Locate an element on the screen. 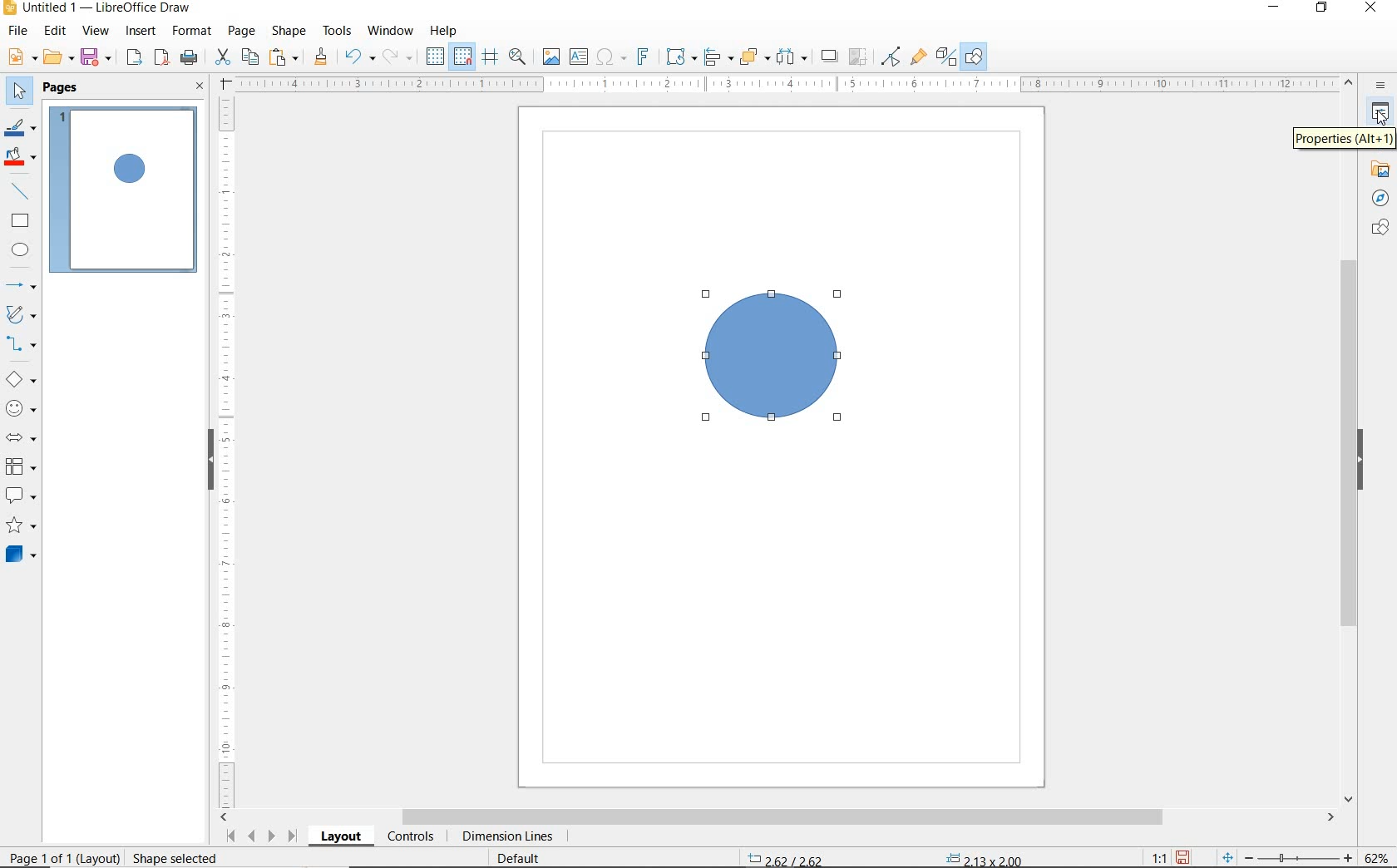 Image resolution: width=1397 pixels, height=868 pixels. Previous page is located at coordinates (252, 837).